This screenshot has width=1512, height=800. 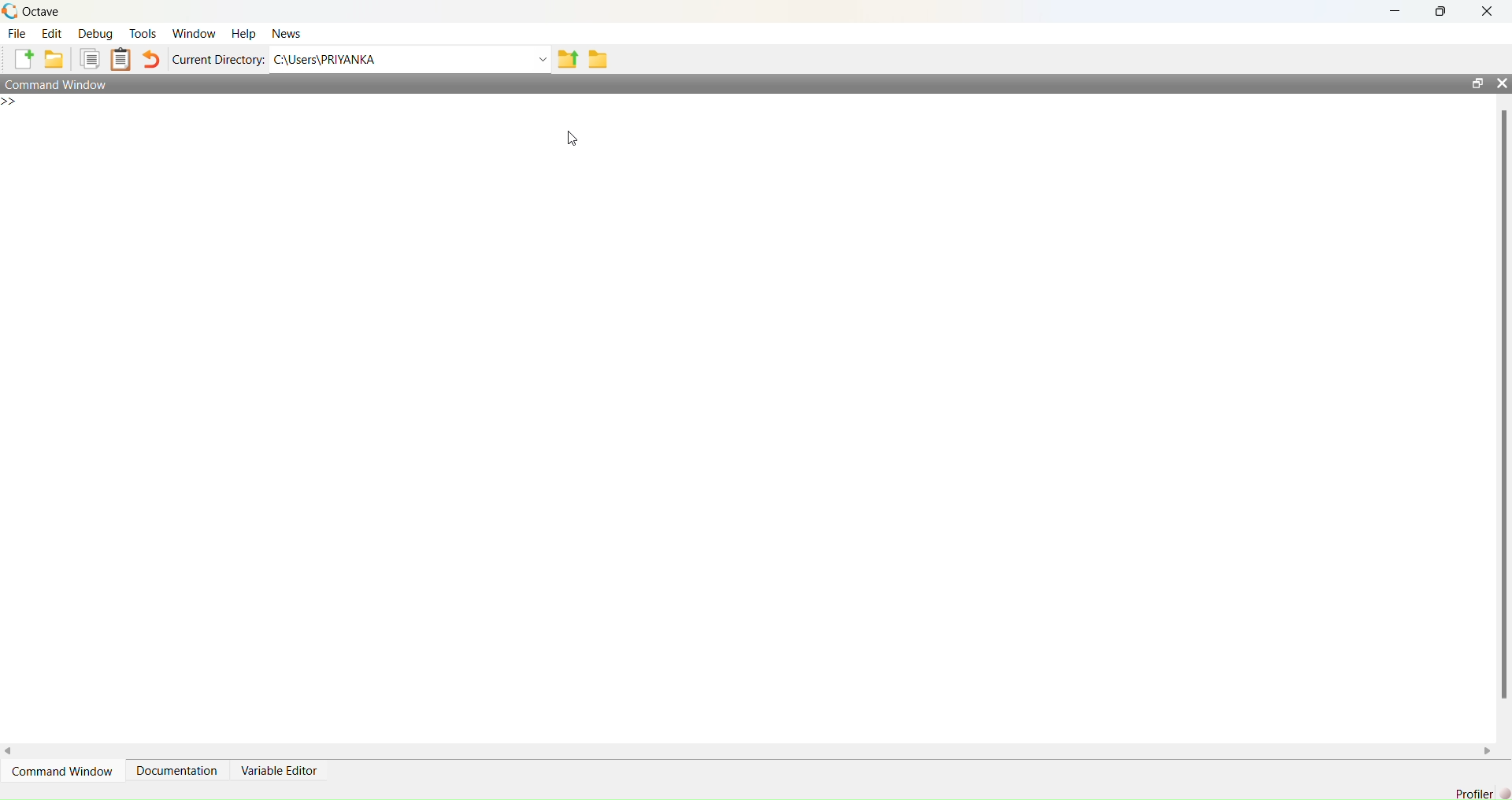 I want to click on scroll bar, so click(x=1504, y=401).